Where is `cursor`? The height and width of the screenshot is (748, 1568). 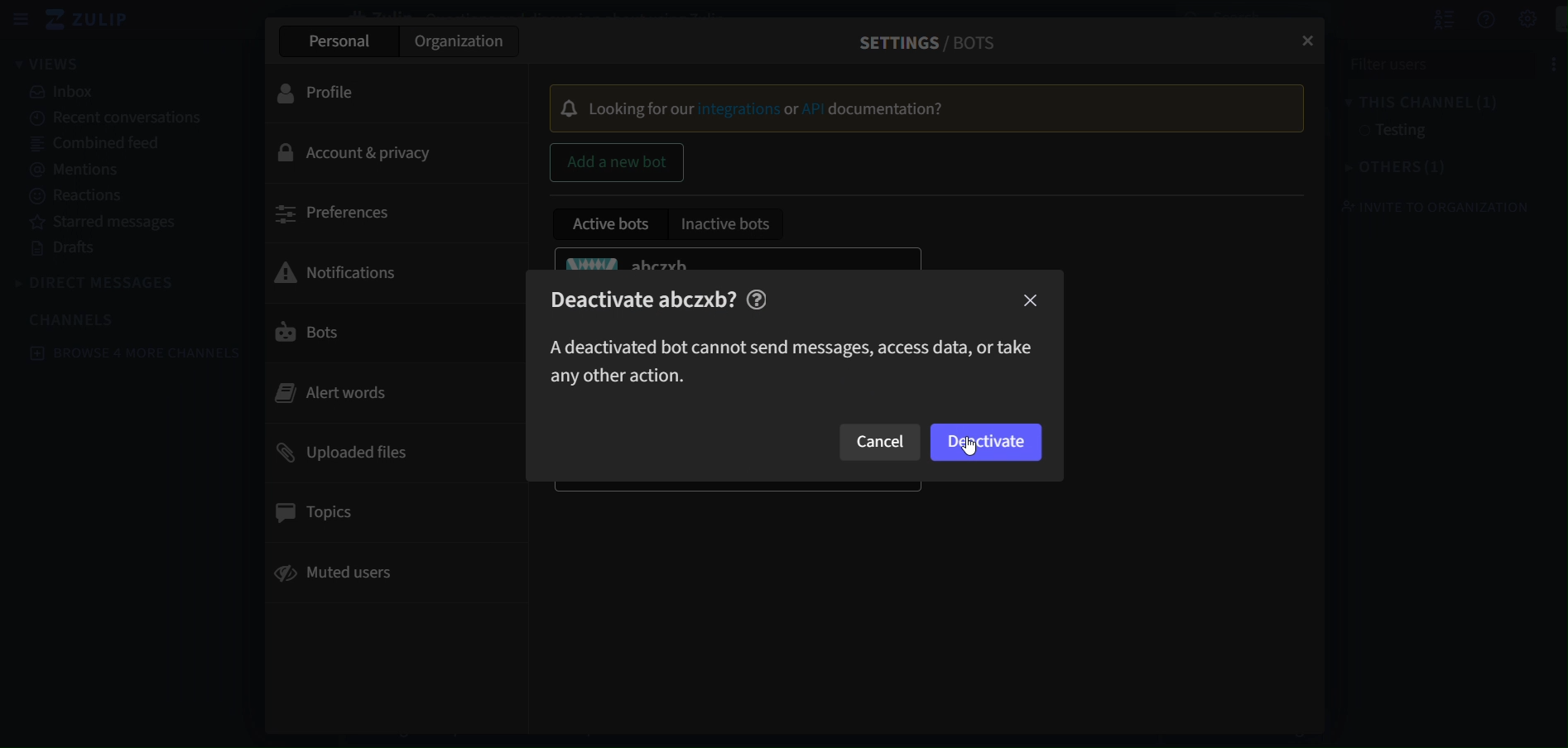
cursor is located at coordinates (967, 448).